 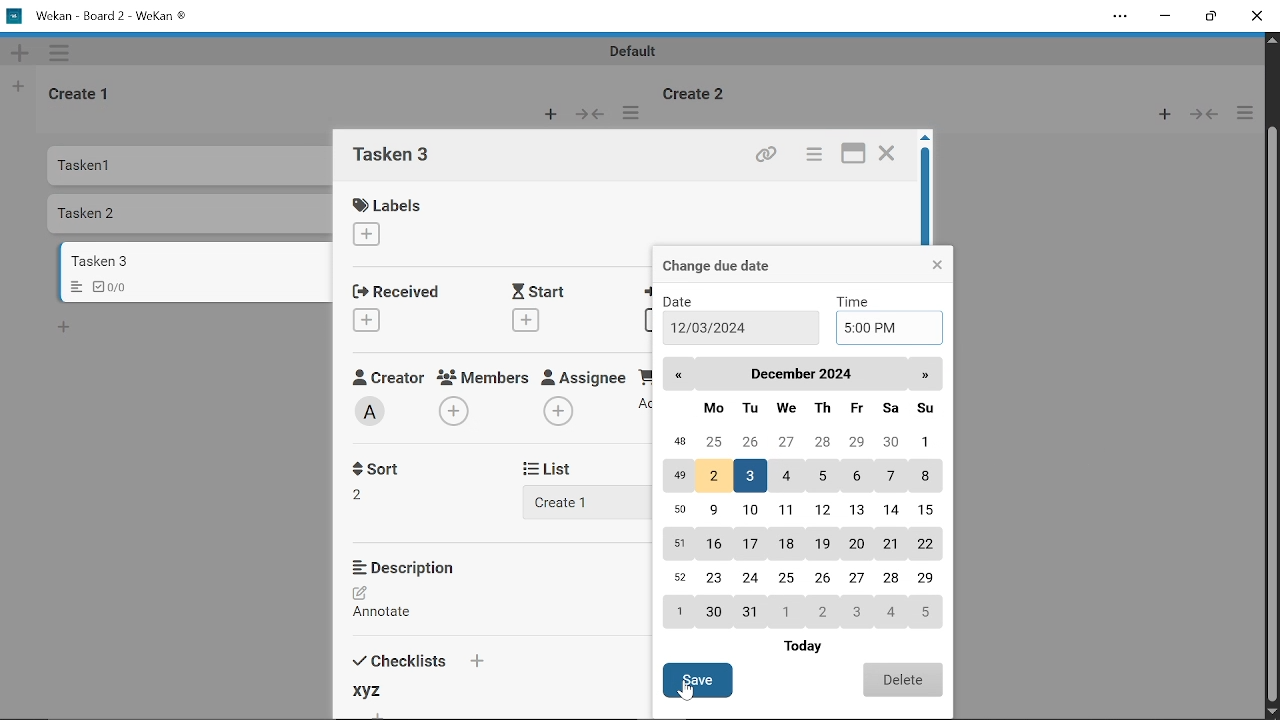 I want to click on Sort, so click(x=382, y=467).